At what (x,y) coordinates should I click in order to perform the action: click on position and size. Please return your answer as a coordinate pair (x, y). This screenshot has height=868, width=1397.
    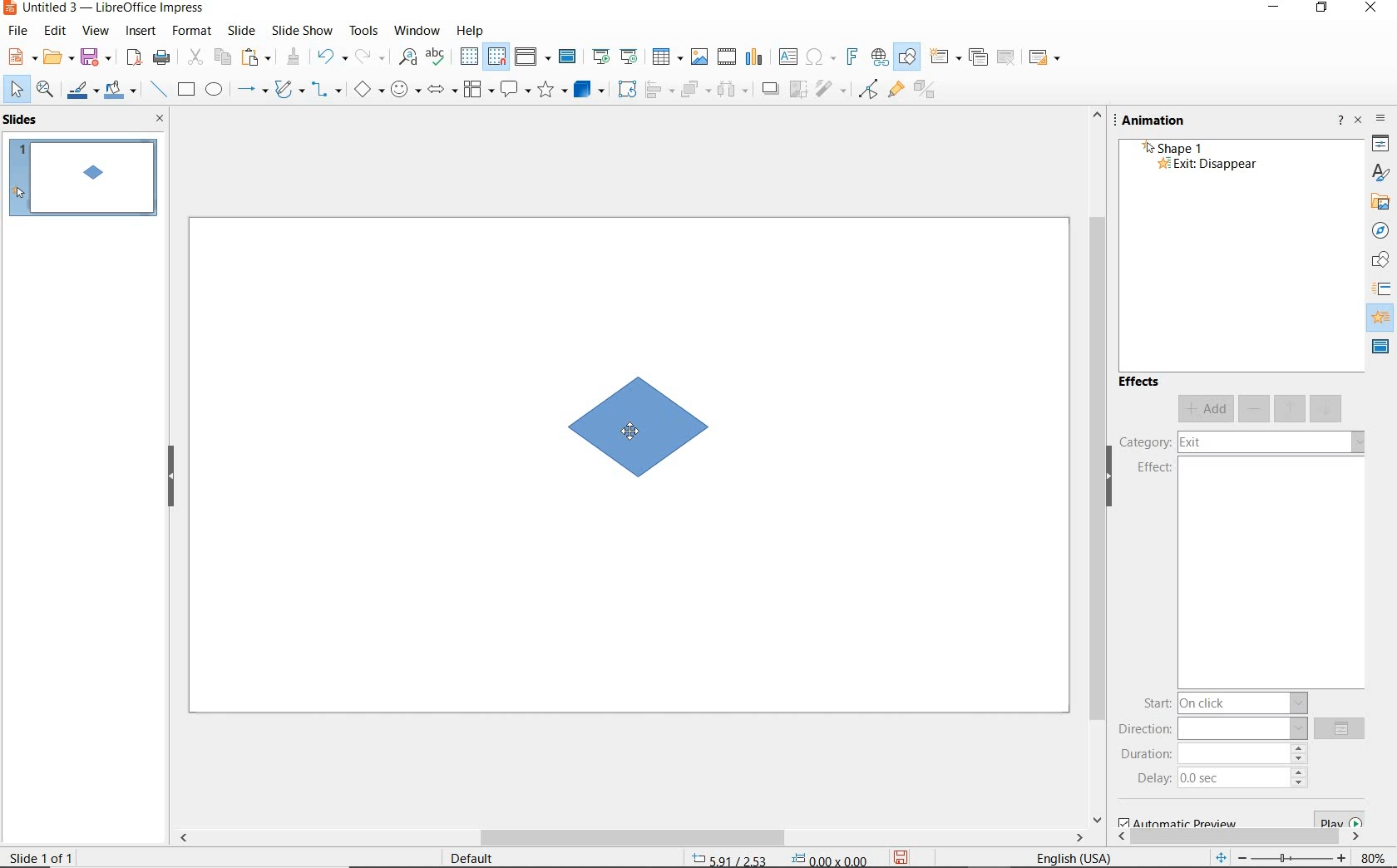
    Looking at the image, I should click on (777, 857).